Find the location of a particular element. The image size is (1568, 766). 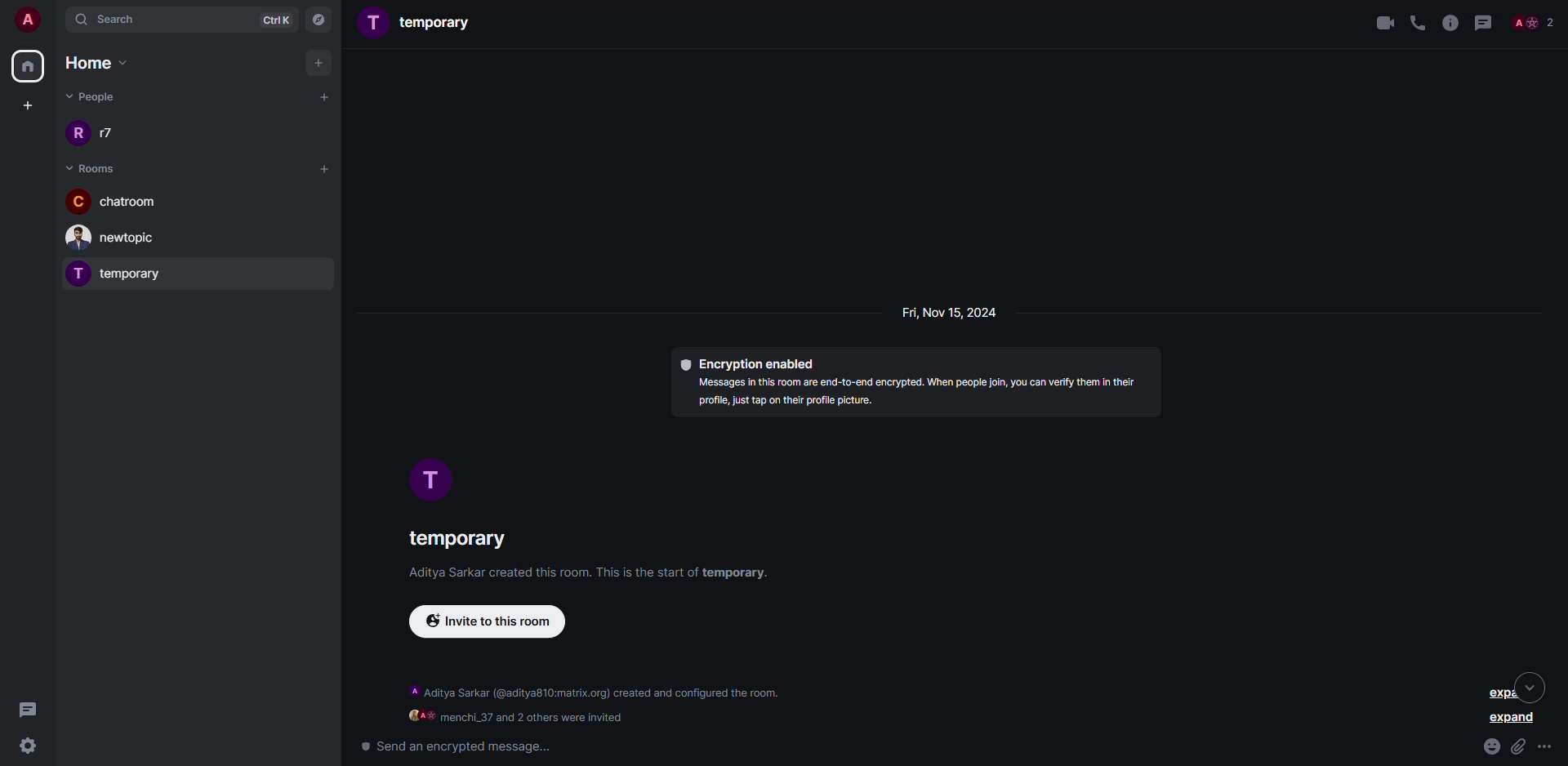

more is located at coordinates (1548, 747).